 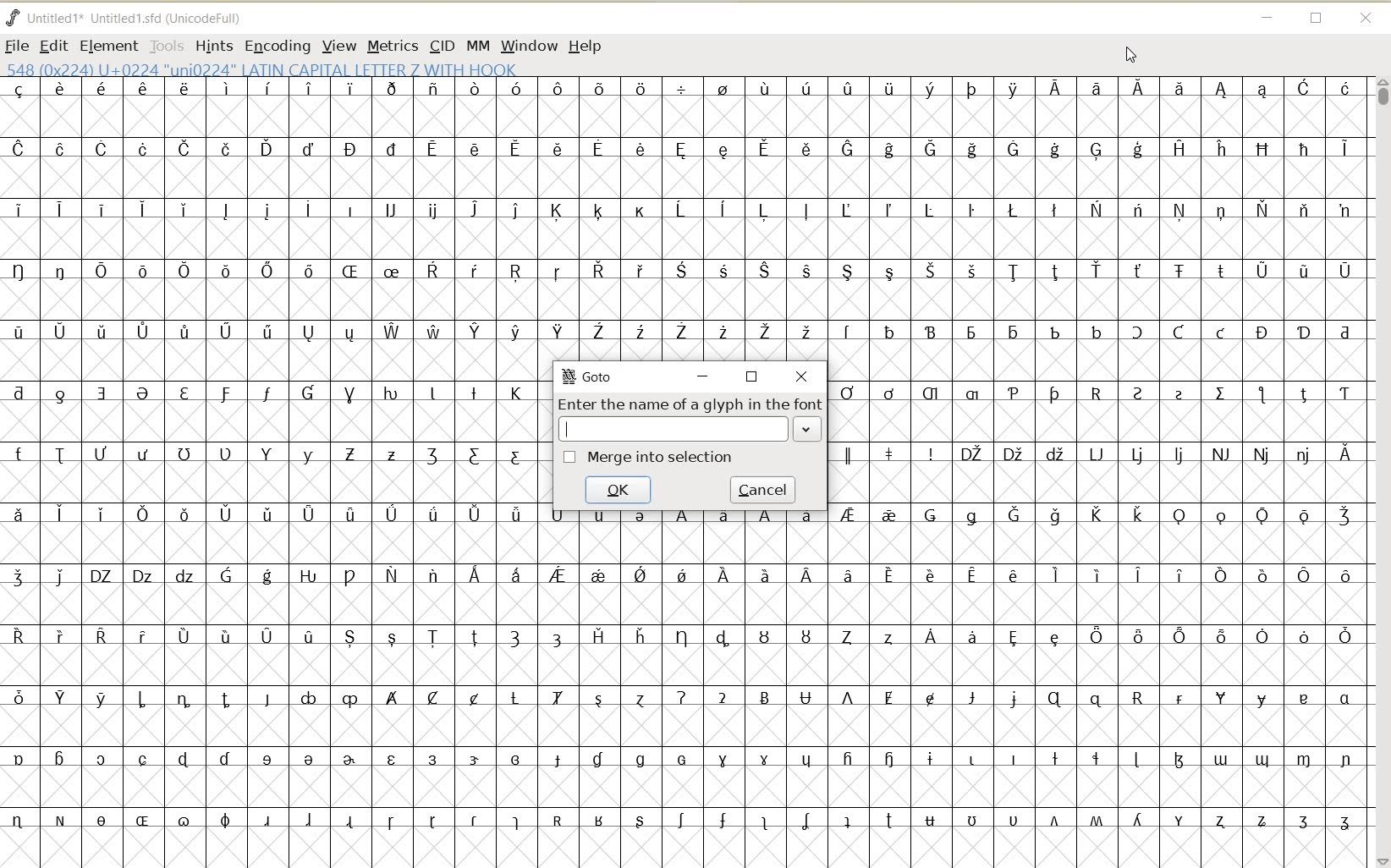 What do you see at coordinates (753, 377) in the screenshot?
I see `restore` at bounding box center [753, 377].